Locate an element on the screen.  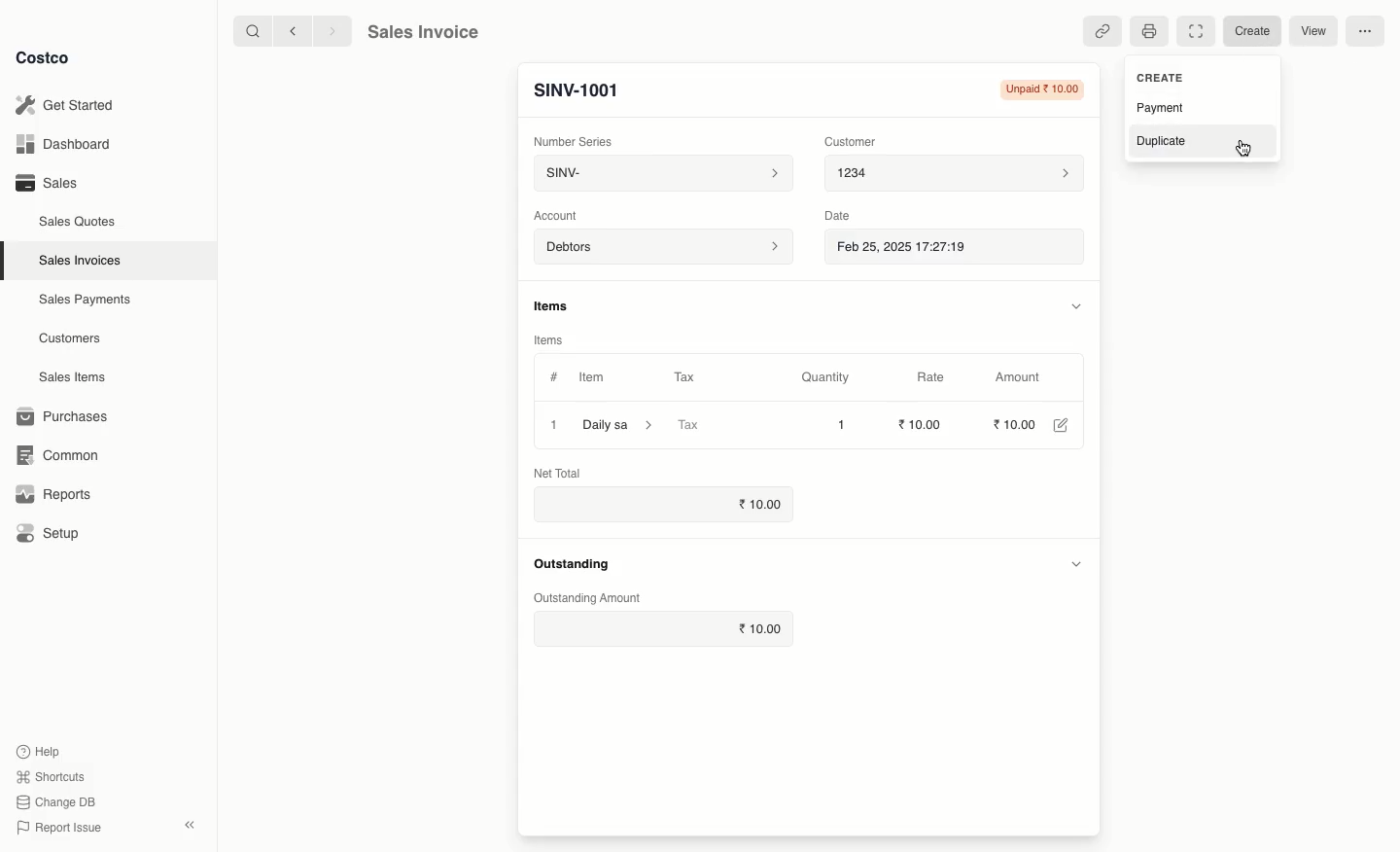
Linked references is located at coordinates (1102, 30).